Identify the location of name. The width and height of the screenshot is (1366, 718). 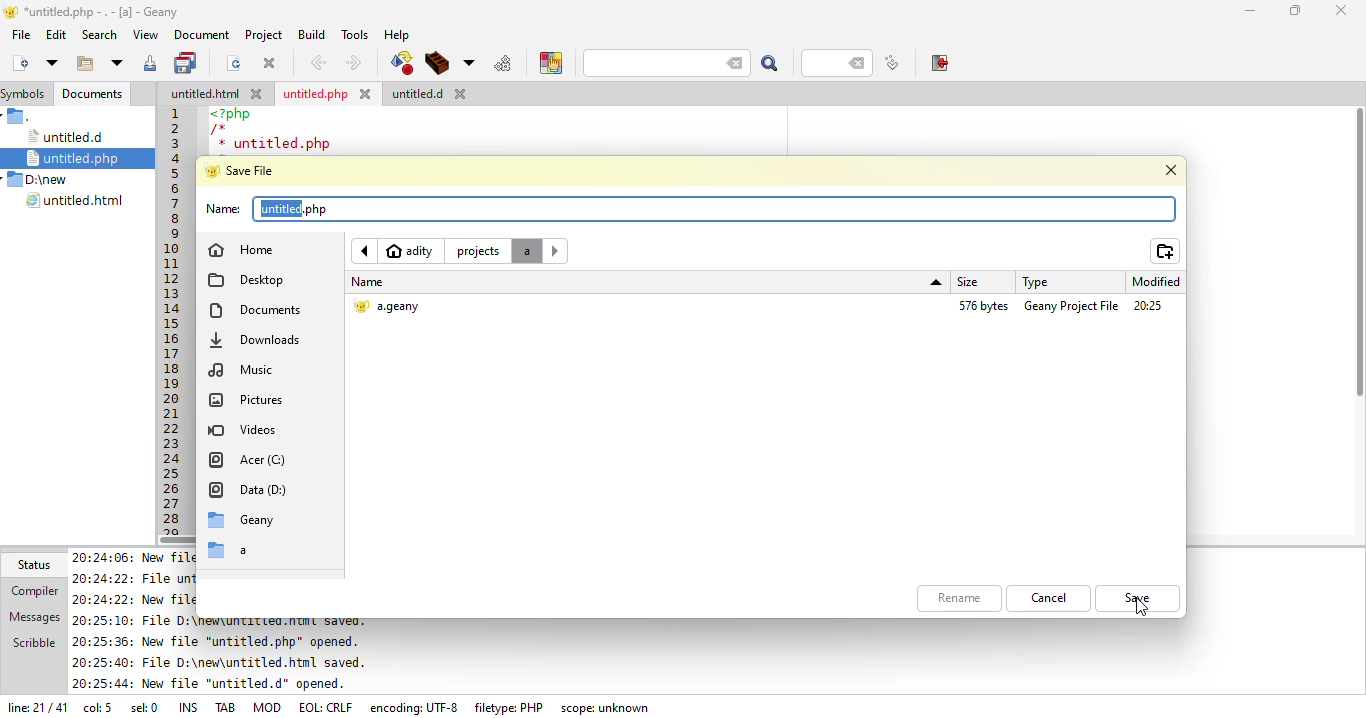
(222, 209).